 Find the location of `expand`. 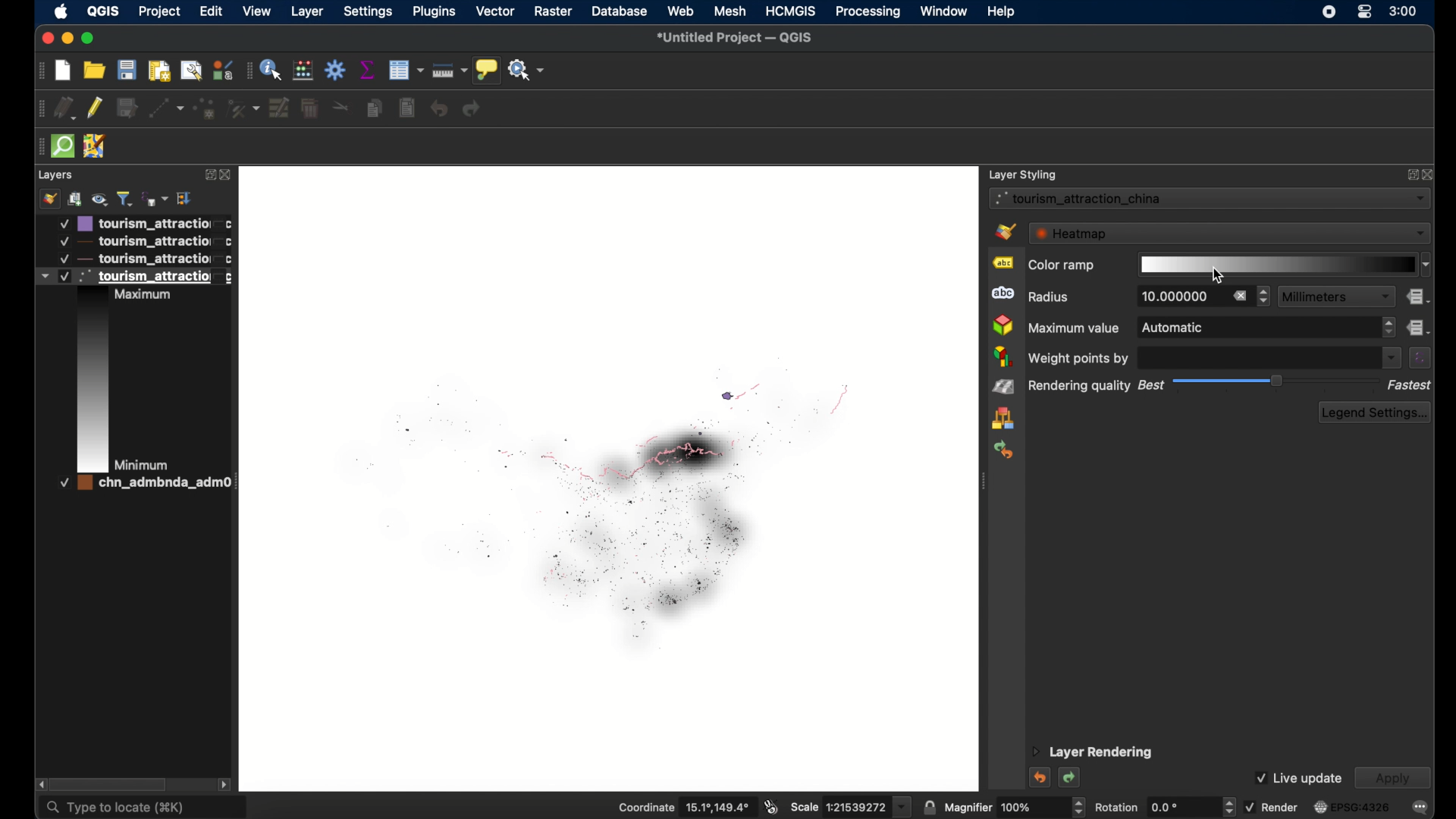

expand is located at coordinates (1410, 177).